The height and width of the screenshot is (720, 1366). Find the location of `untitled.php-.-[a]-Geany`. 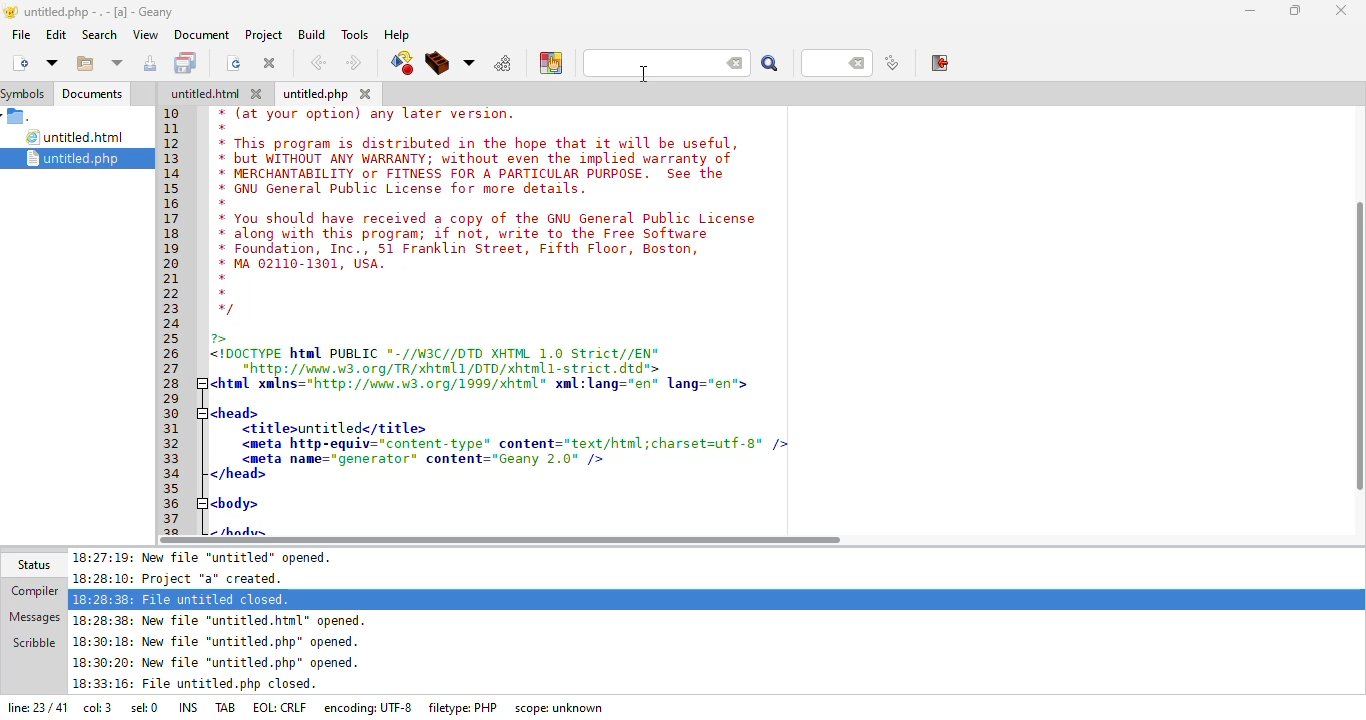

untitled.php-.-[a]-Geany is located at coordinates (92, 12).